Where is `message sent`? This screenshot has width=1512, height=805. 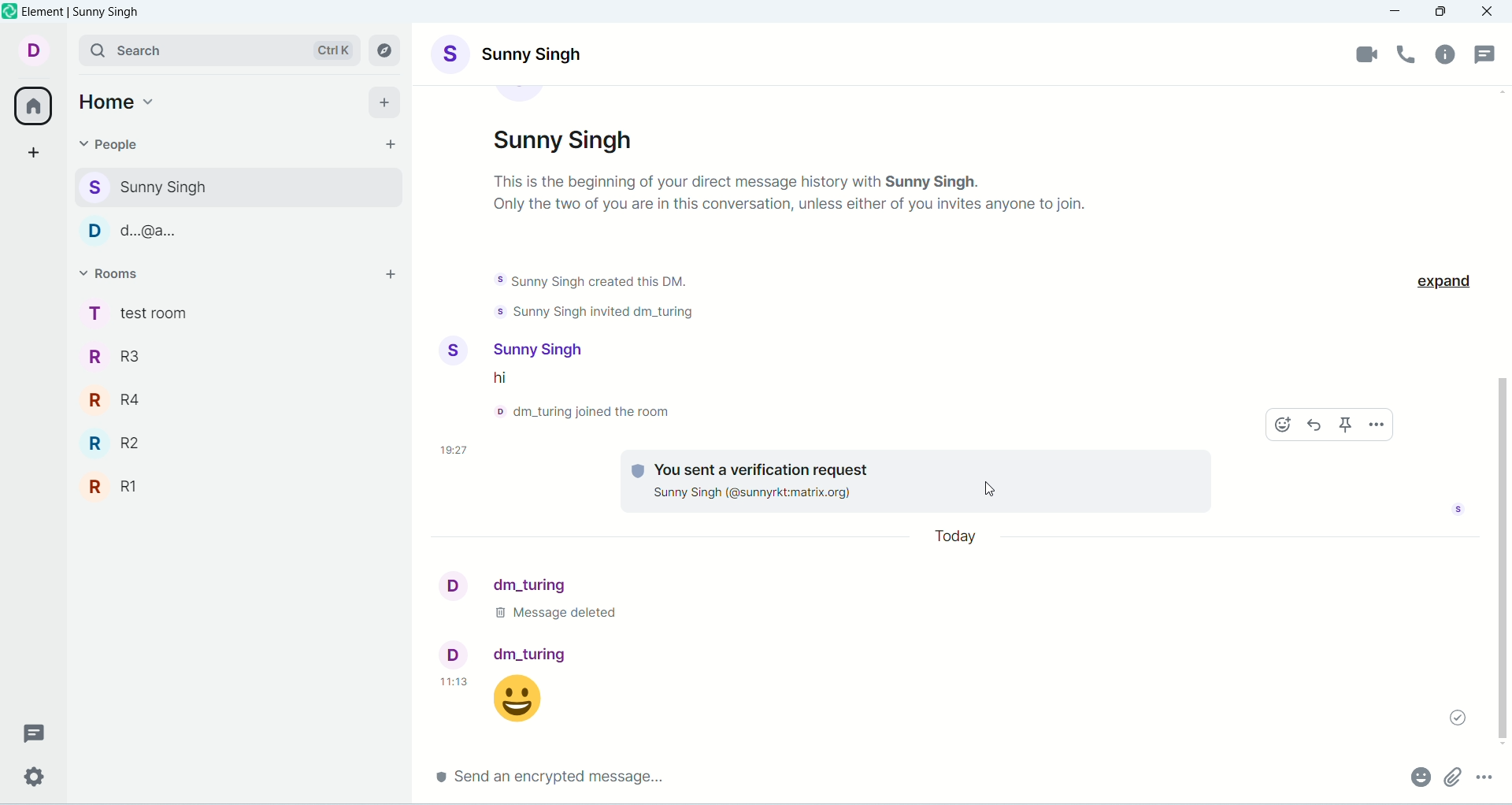 message sent is located at coordinates (1453, 722).